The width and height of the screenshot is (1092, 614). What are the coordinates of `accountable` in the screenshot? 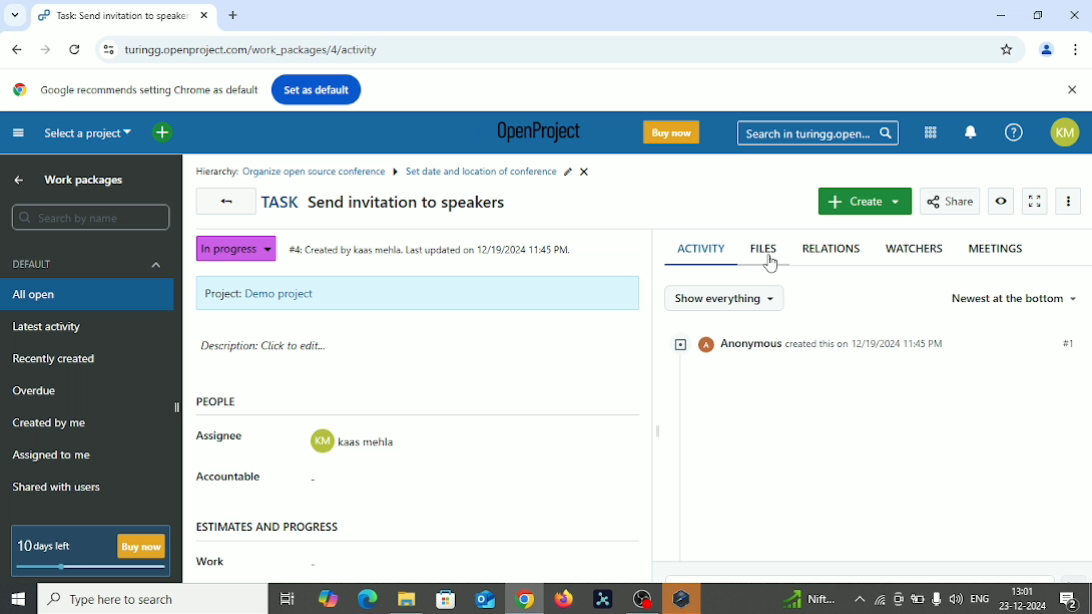 It's located at (354, 481).